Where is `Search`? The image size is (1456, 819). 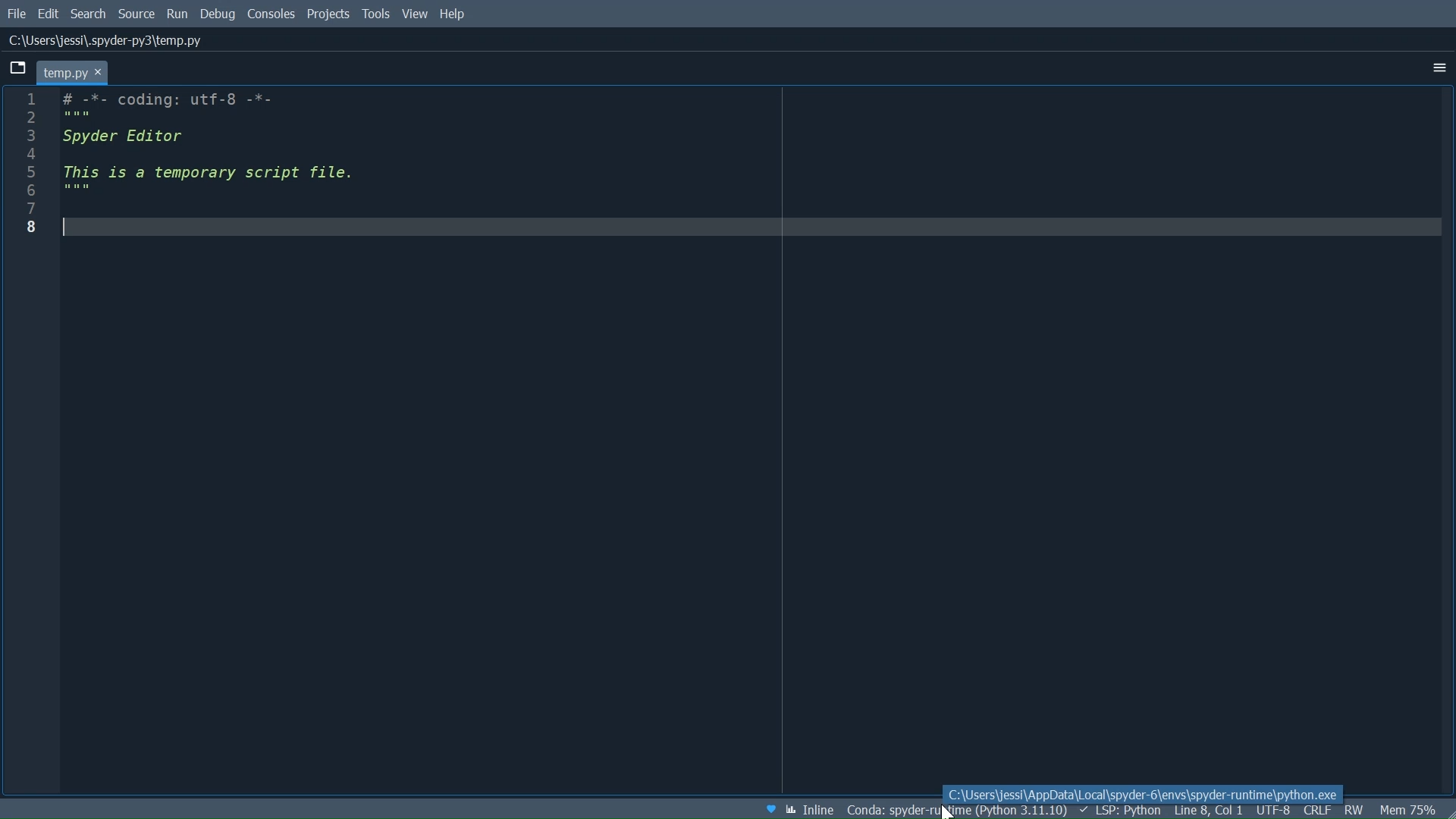
Search is located at coordinates (89, 14).